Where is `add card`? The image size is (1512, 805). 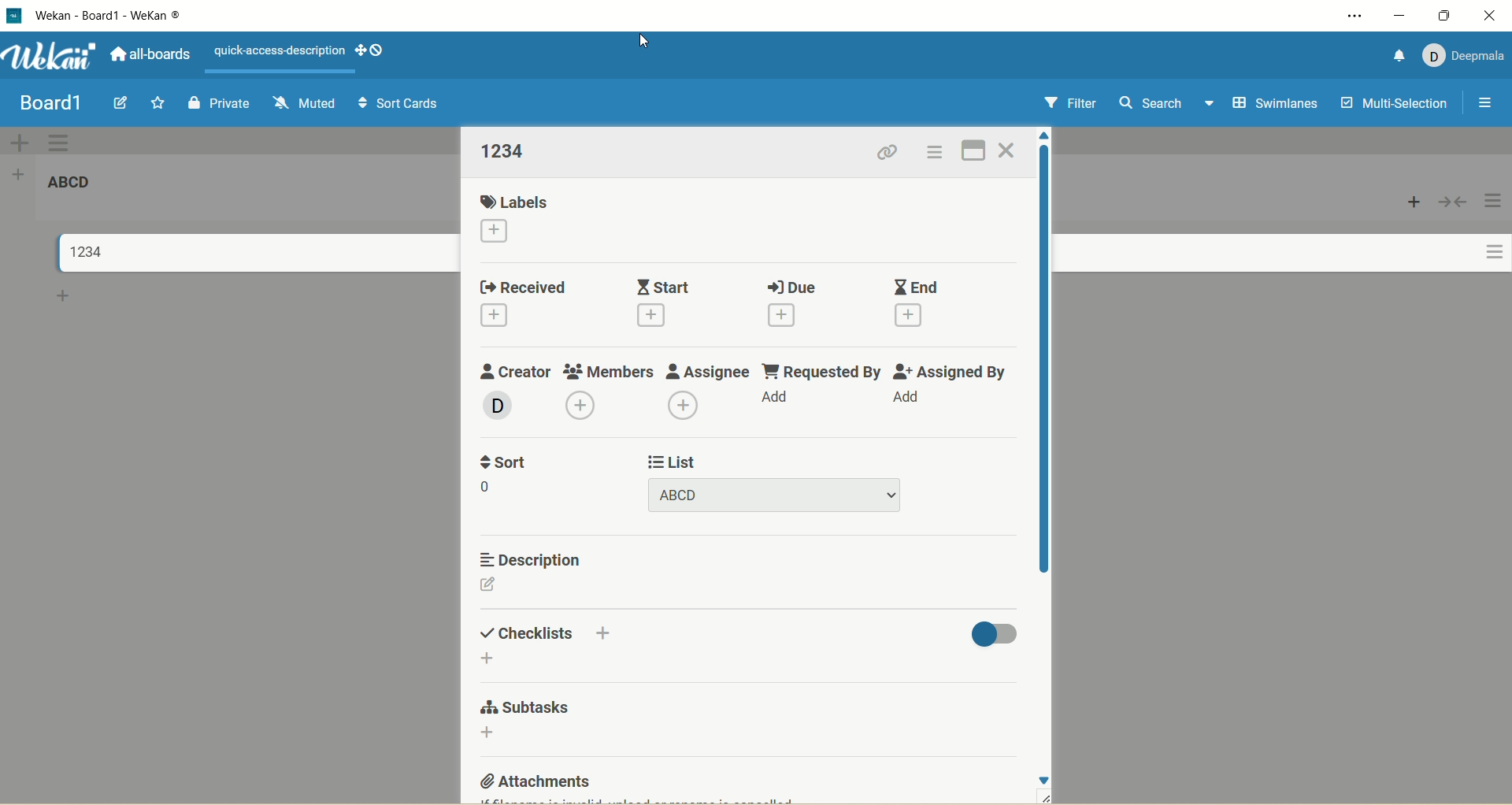
add card is located at coordinates (67, 295).